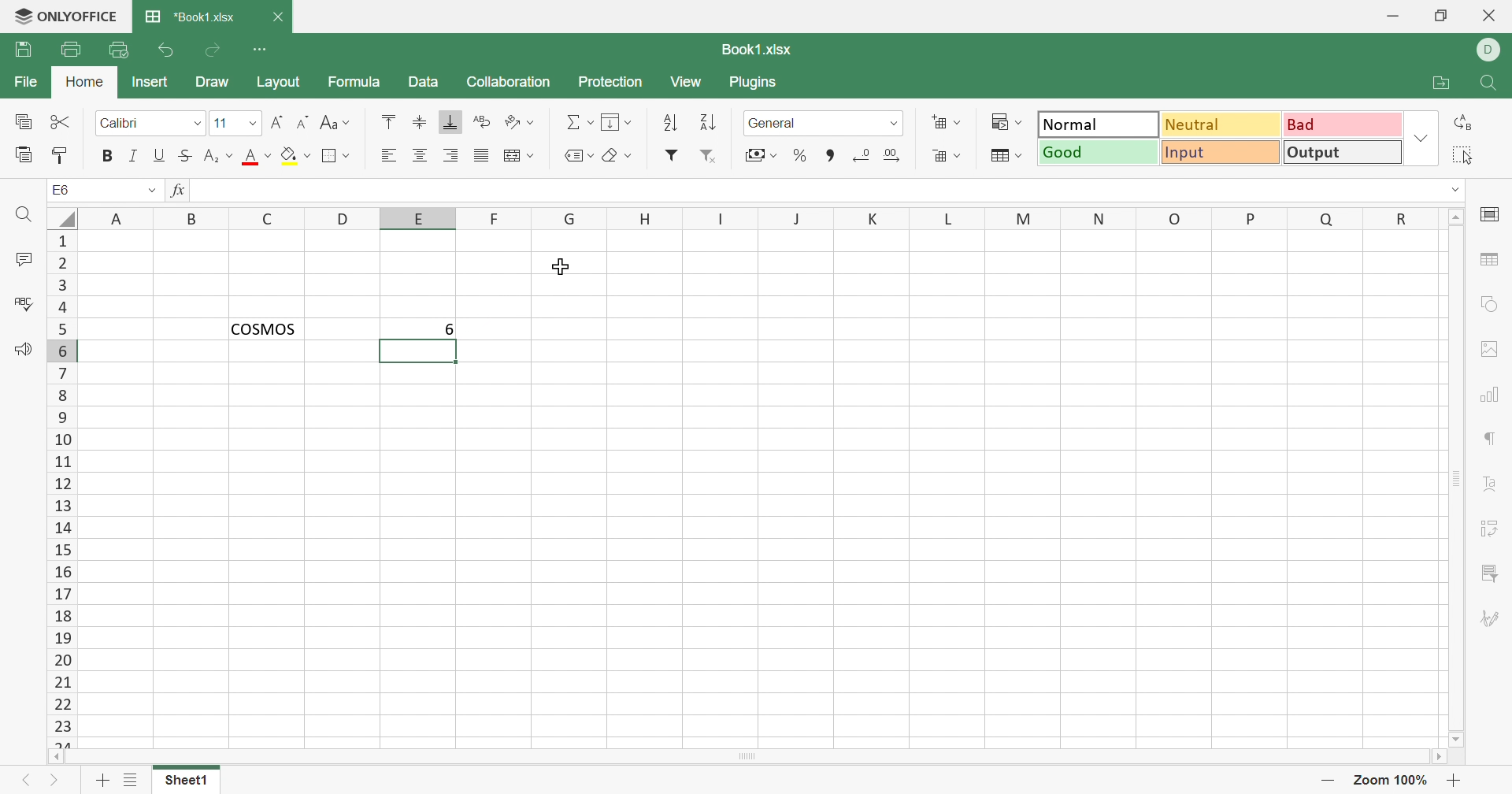 The image size is (1512, 794). Describe the element at coordinates (710, 157) in the screenshot. I see `Remove filter` at that location.